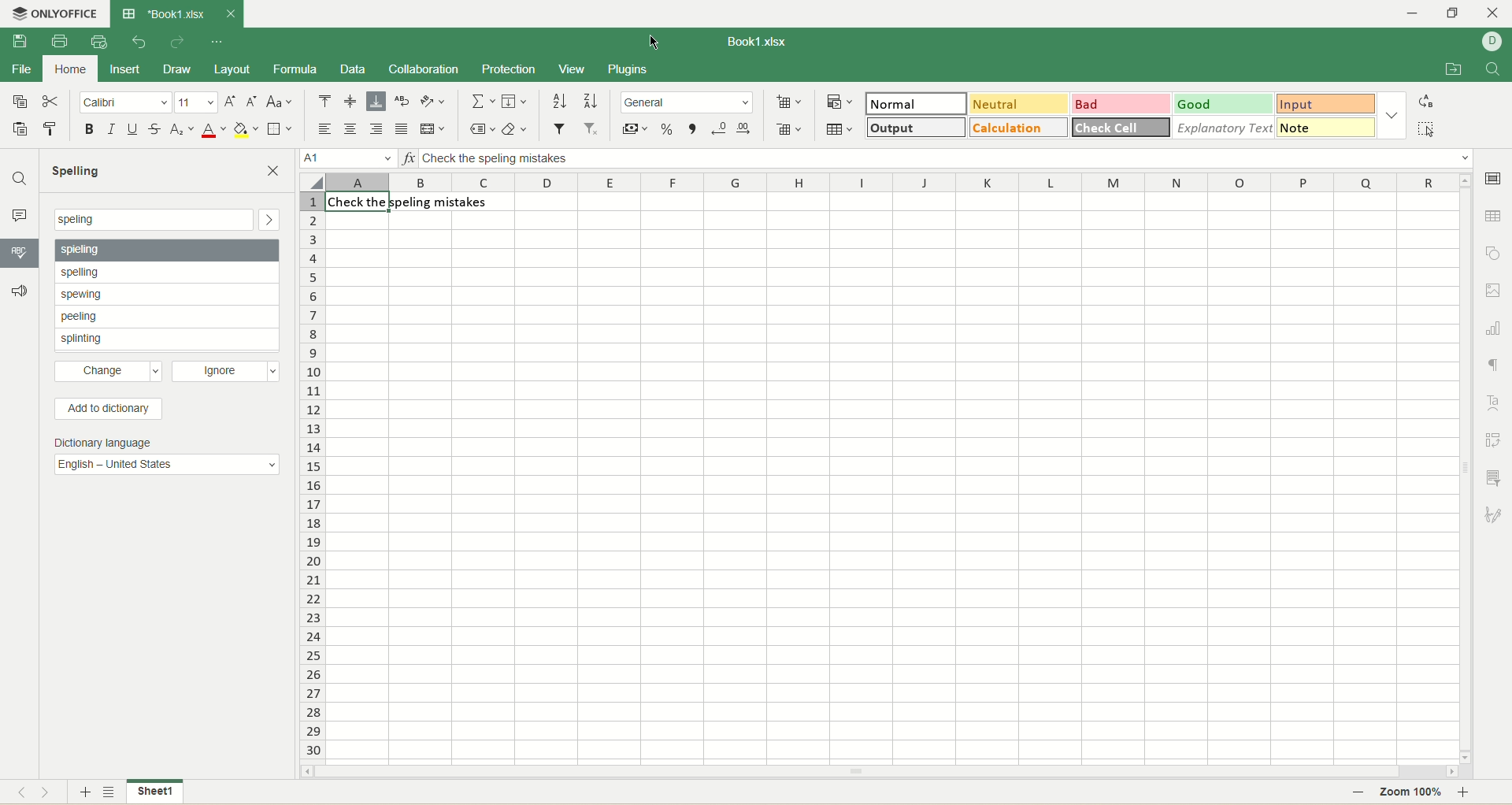  What do you see at coordinates (914, 103) in the screenshot?
I see `normal` at bounding box center [914, 103].